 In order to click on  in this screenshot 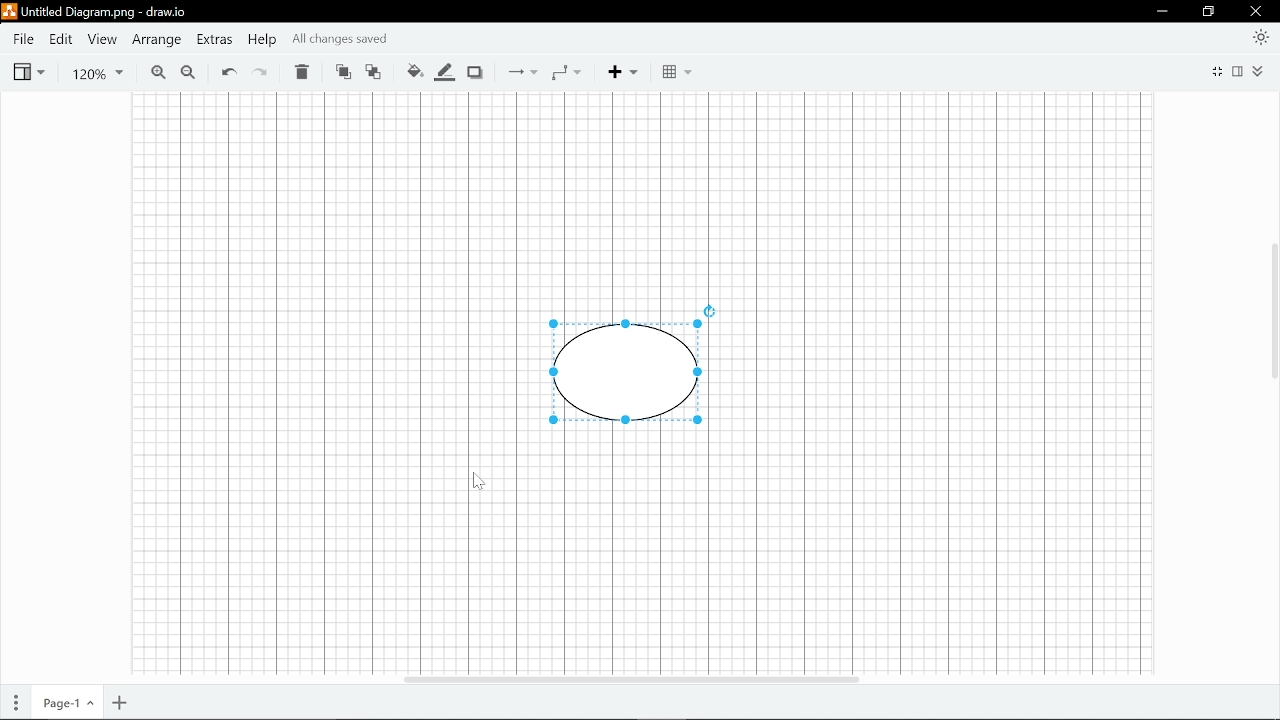, I will do `click(60, 40)`.